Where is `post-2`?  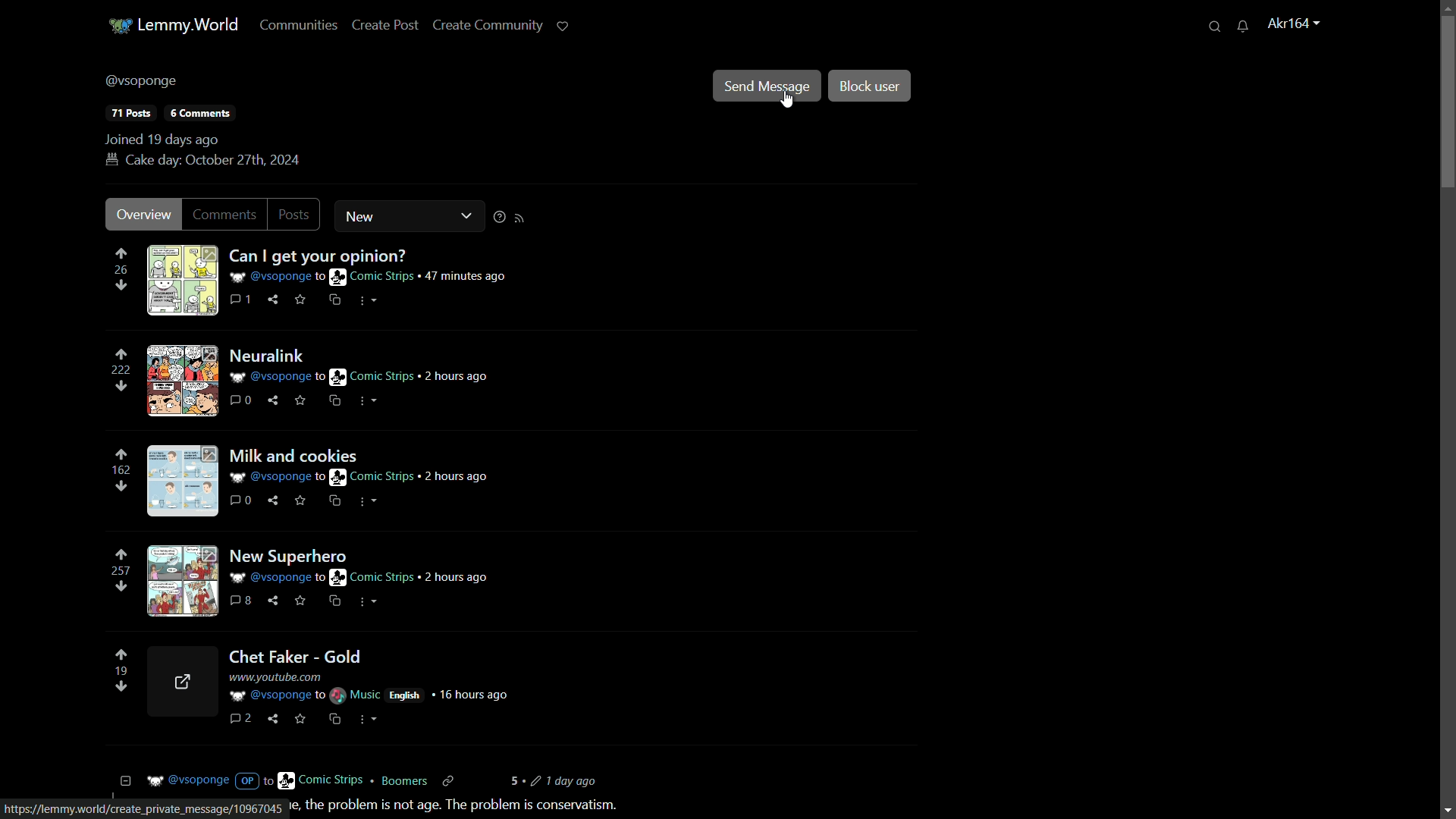
post-2 is located at coordinates (278, 353).